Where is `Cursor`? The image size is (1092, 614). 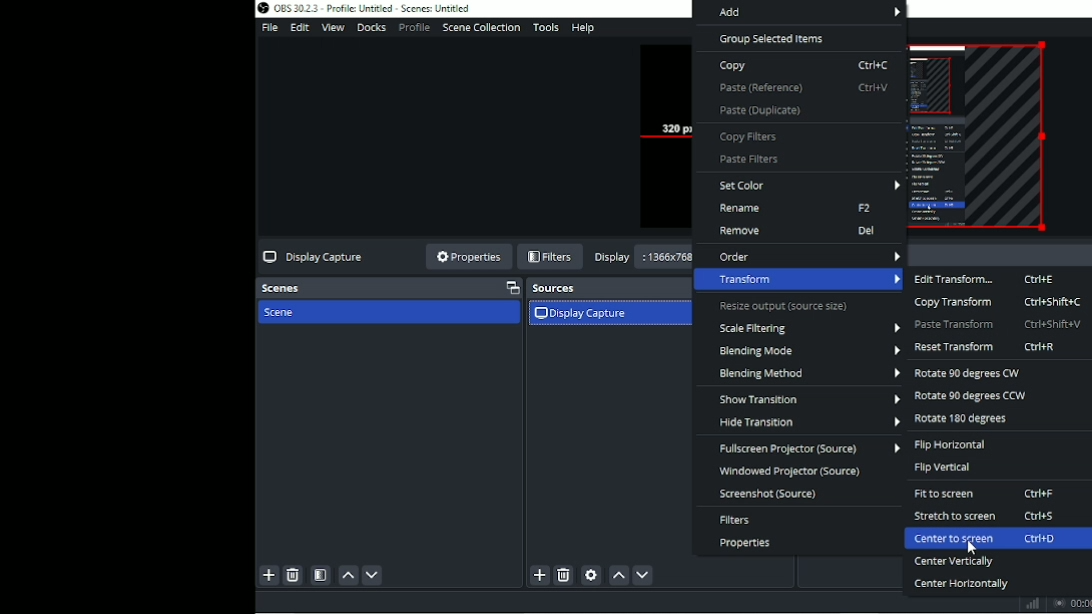
Cursor is located at coordinates (975, 547).